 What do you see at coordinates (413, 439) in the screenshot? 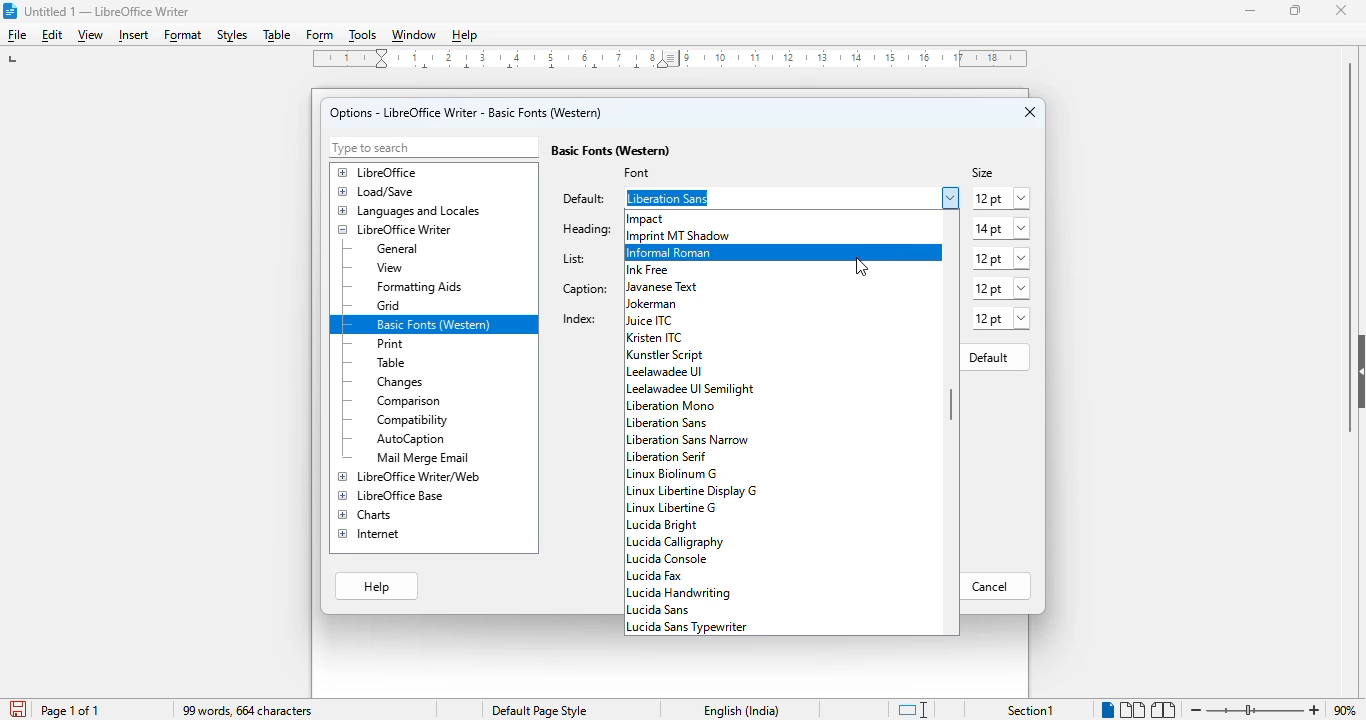
I see `autocaption` at bounding box center [413, 439].